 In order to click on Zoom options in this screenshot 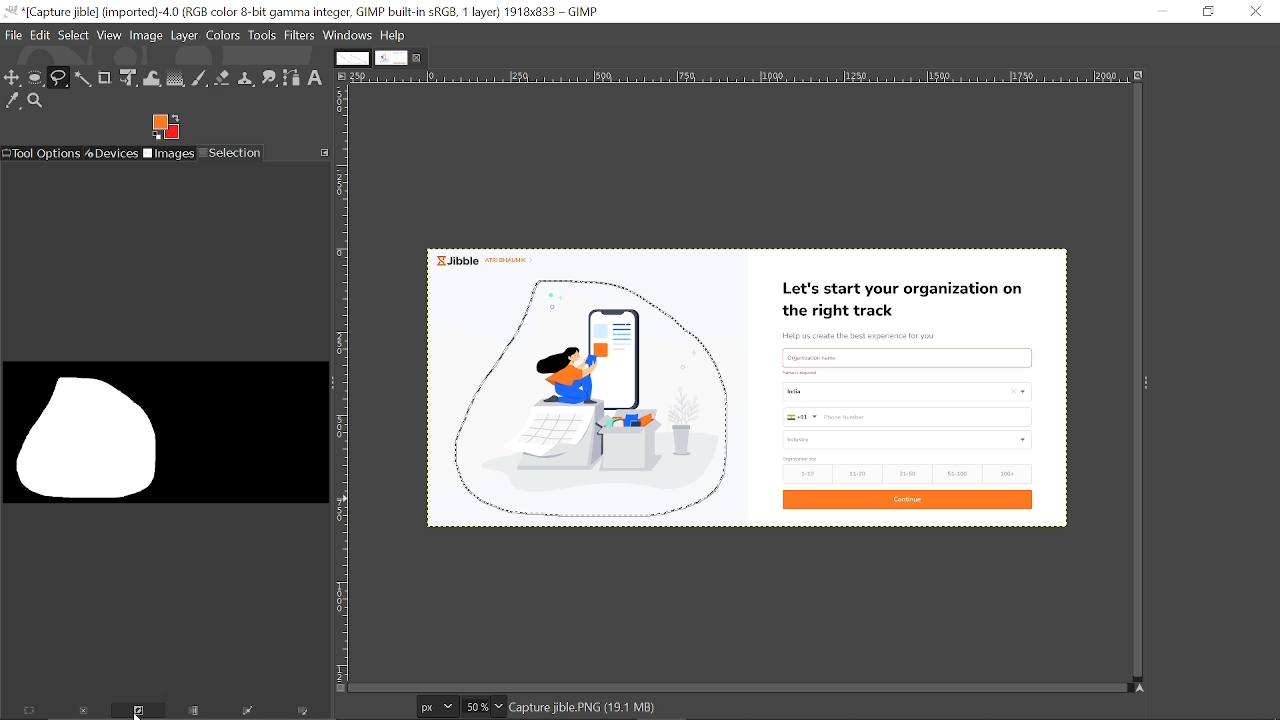, I will do `click(499, 707)`.